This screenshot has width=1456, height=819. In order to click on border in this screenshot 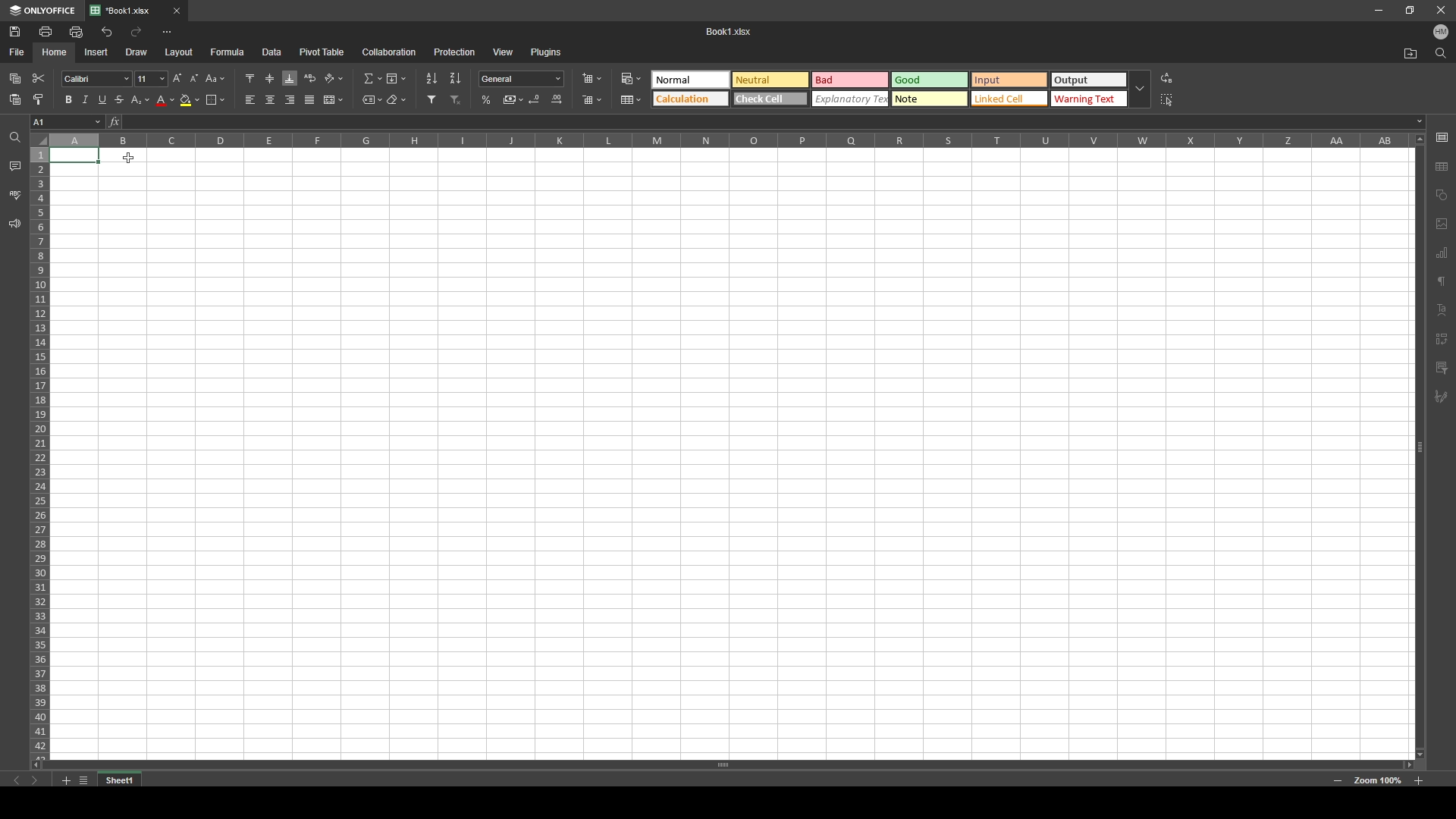, I will do `click(215, 99)`.